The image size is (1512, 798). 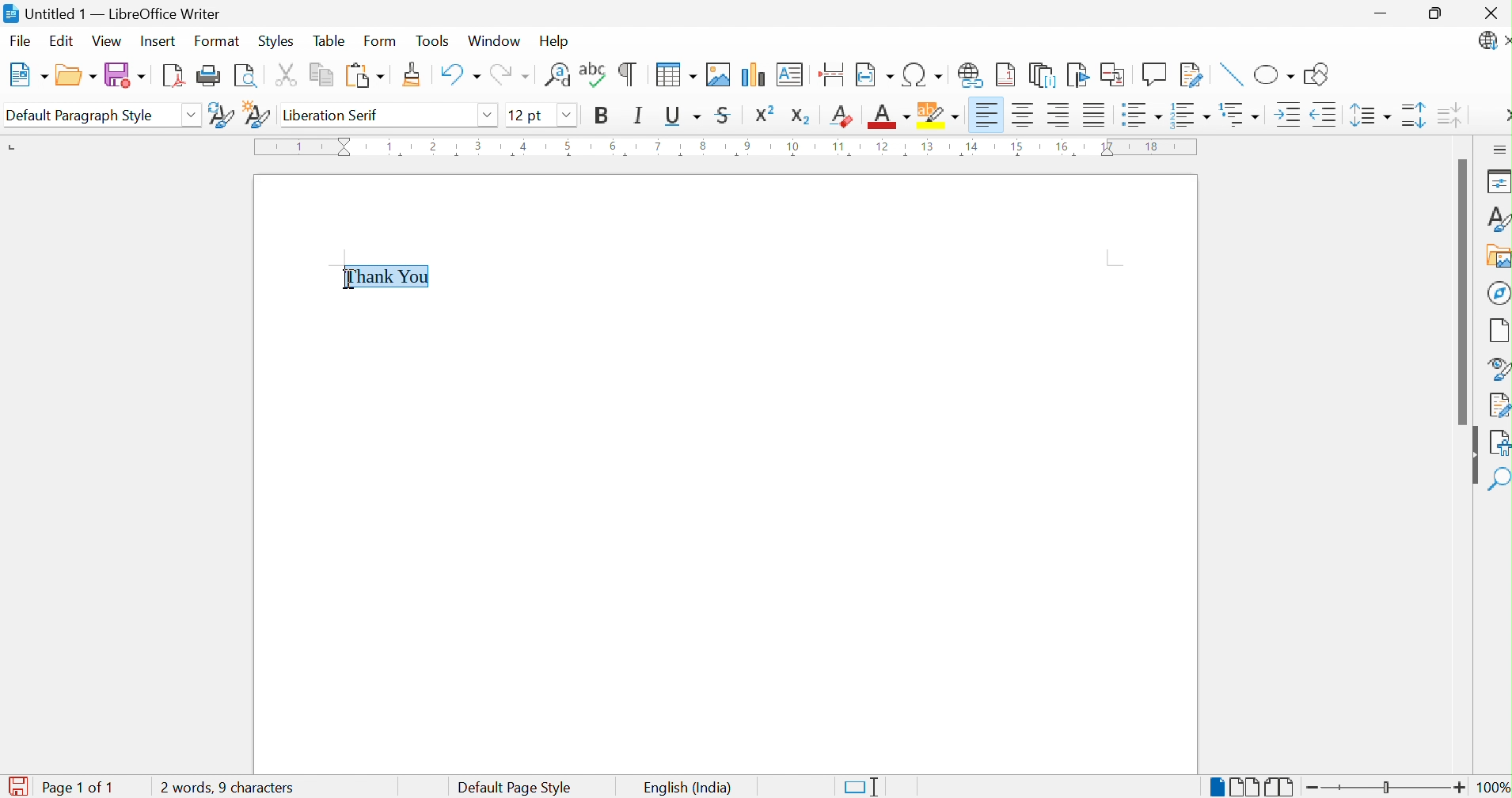 I want to click on Manage Changes, so click(x=1497, y=405).